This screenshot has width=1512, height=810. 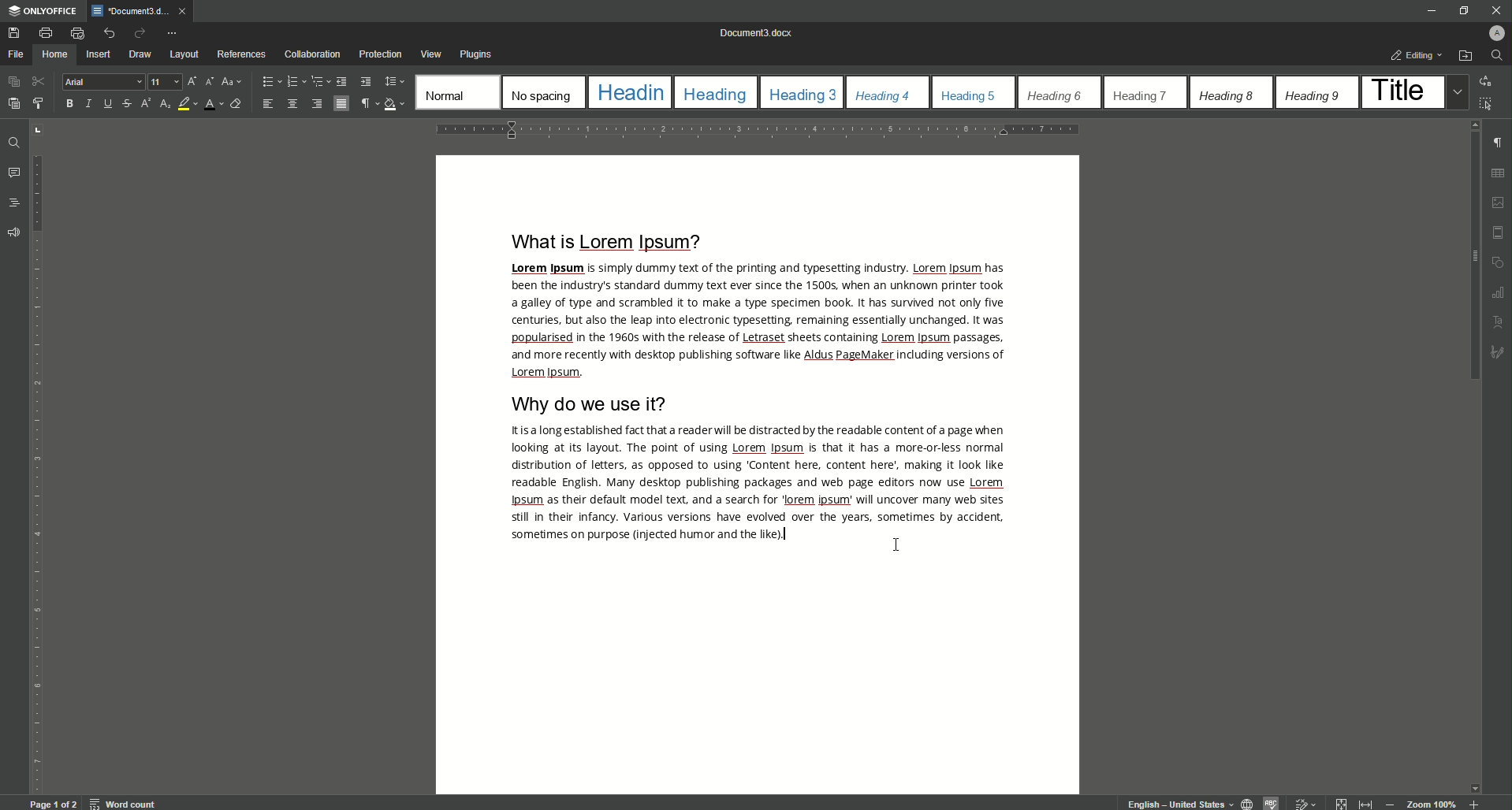 What do you see at coordinates (393, 102) in the screenshot?
I see `Shading` at bounding box center [393, 102].